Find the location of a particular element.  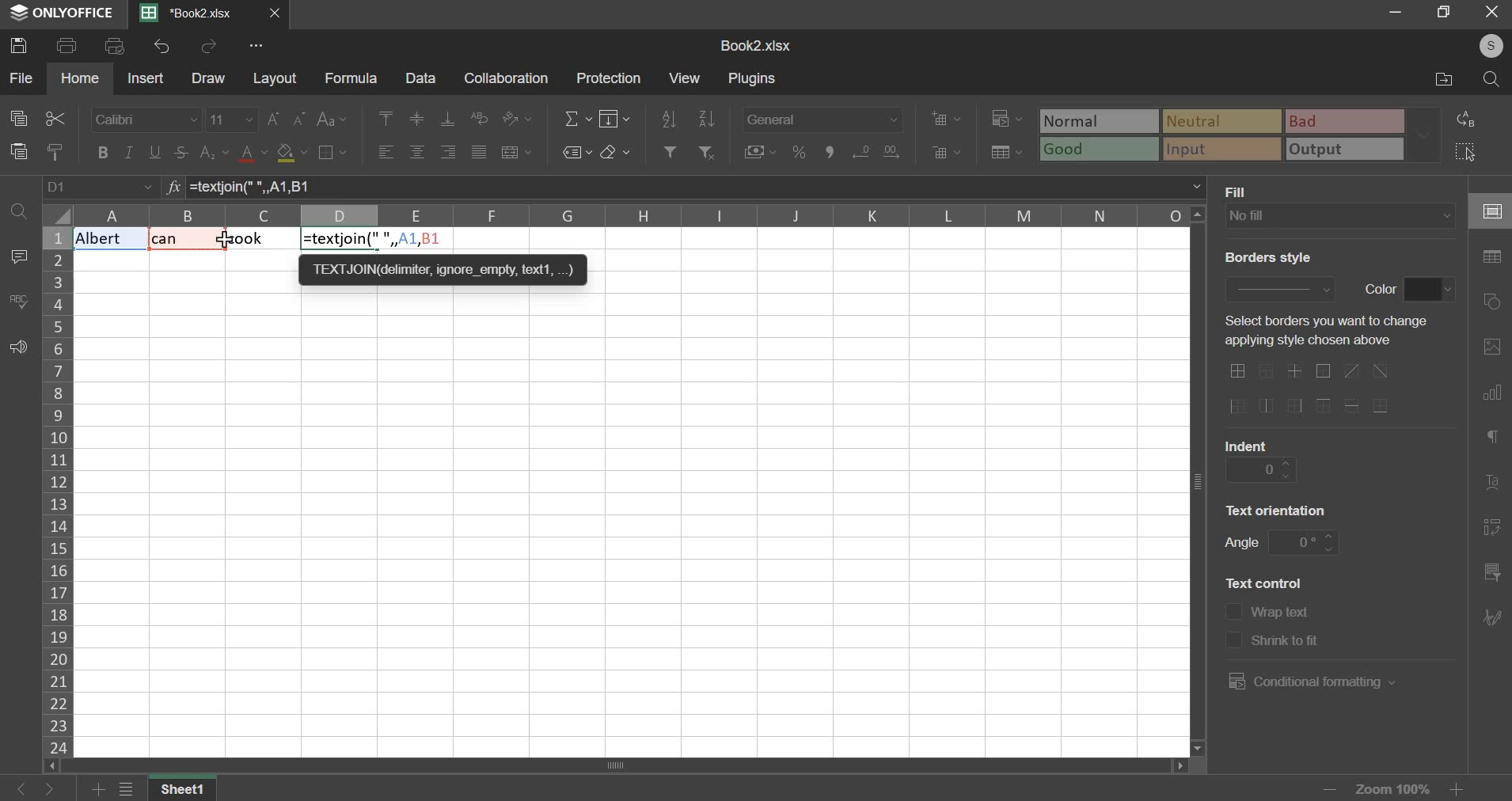

comment is located at coordinates (18, 256).